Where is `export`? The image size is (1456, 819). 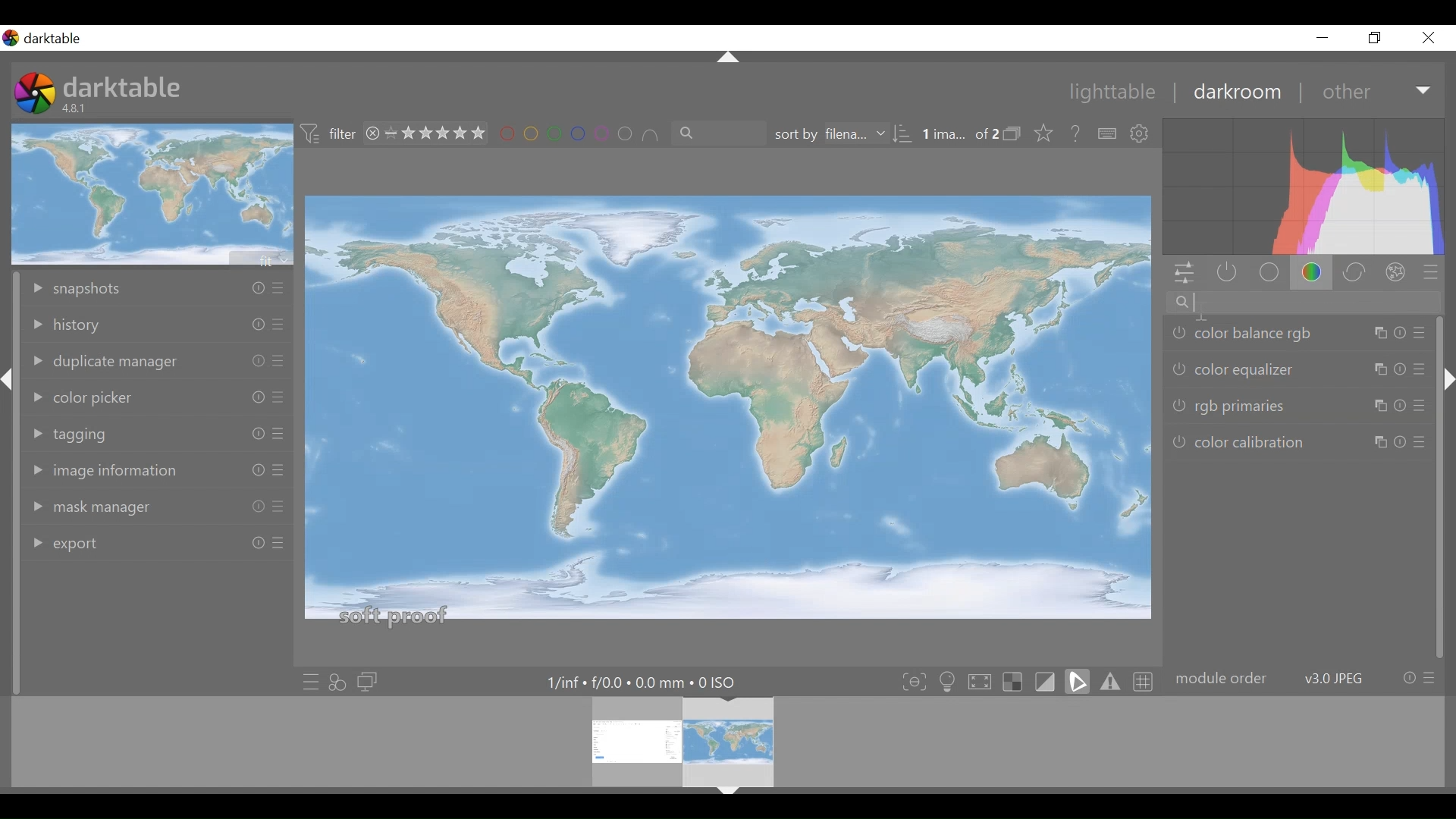
export is located at coordinates (106, 541).